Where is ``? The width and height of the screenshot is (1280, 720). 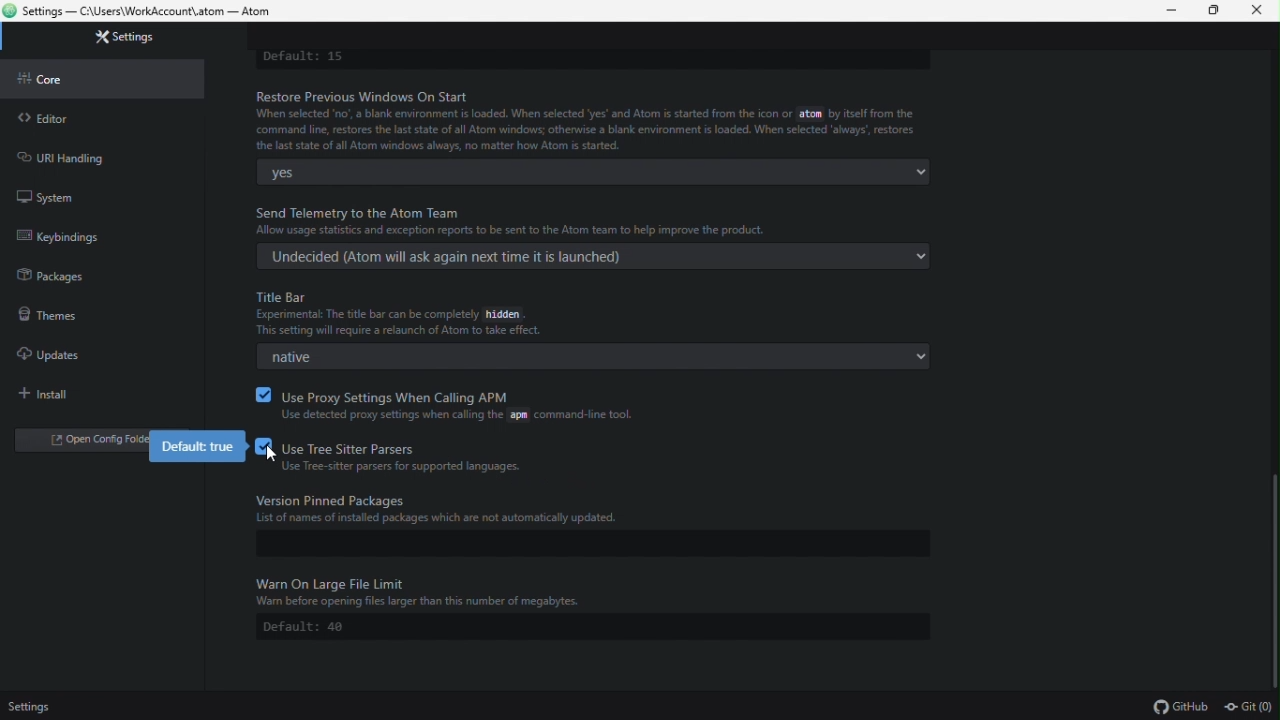
 is located at coordinates (271, 454).